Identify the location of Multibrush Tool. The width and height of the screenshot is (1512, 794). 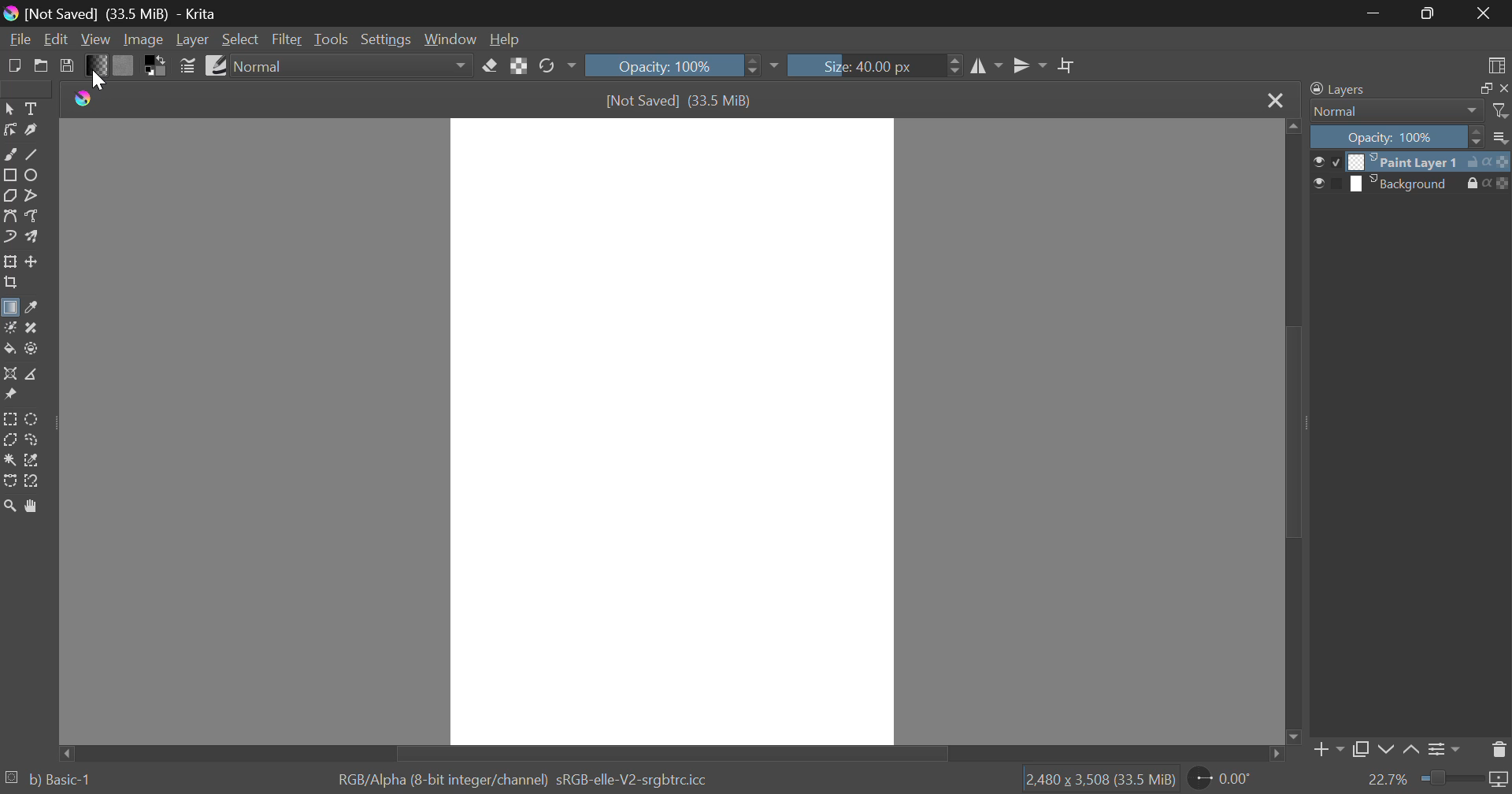
(31, 238).